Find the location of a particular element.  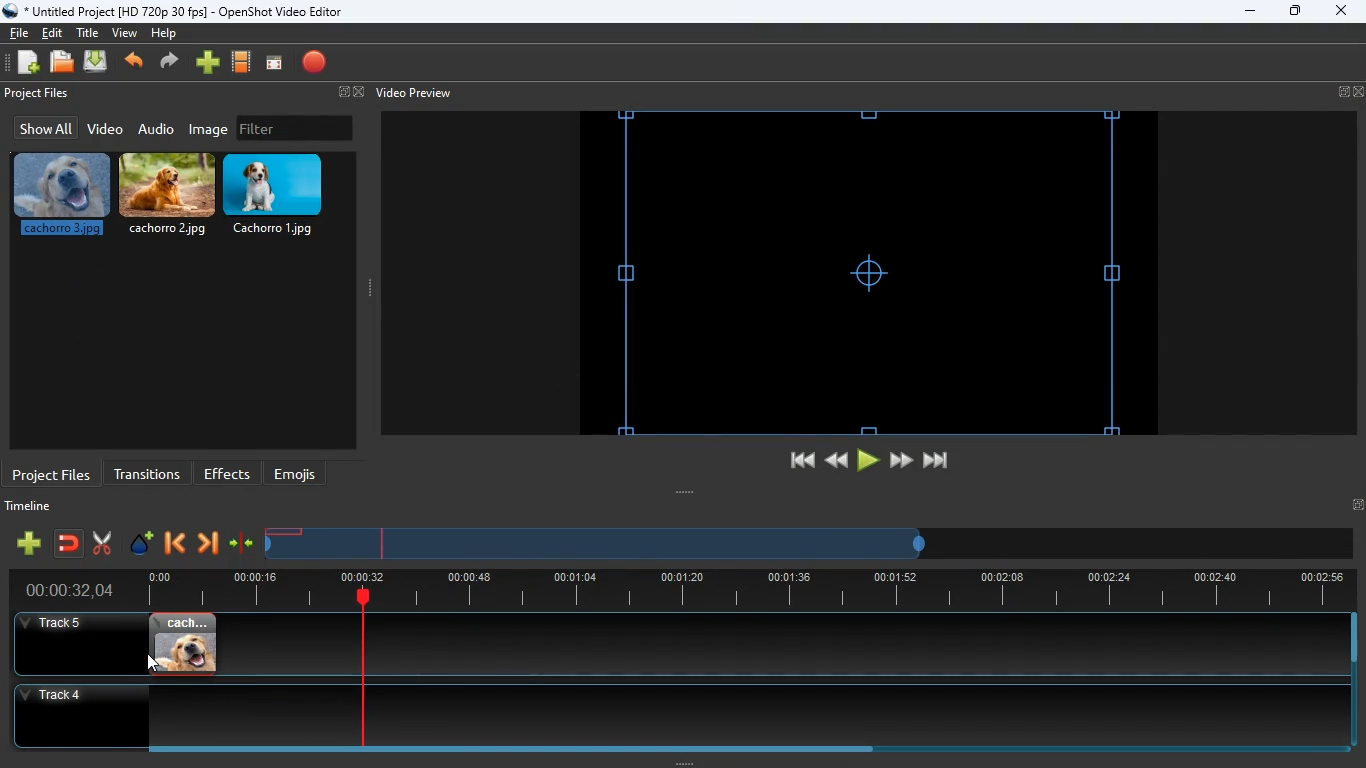

track 5 is located at coordinates (56, 624).